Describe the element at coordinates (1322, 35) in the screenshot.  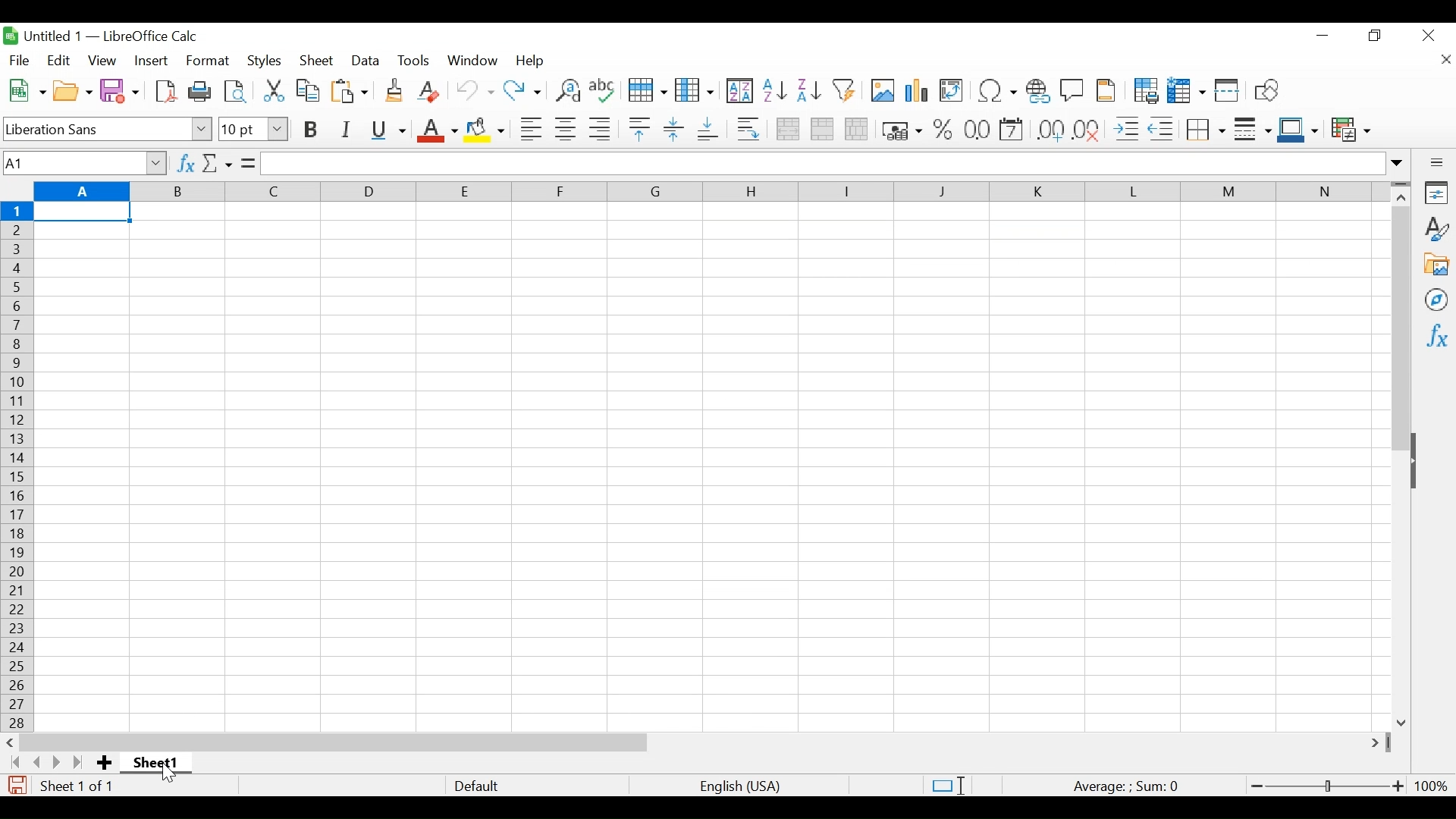
I see `minimize` at that location.